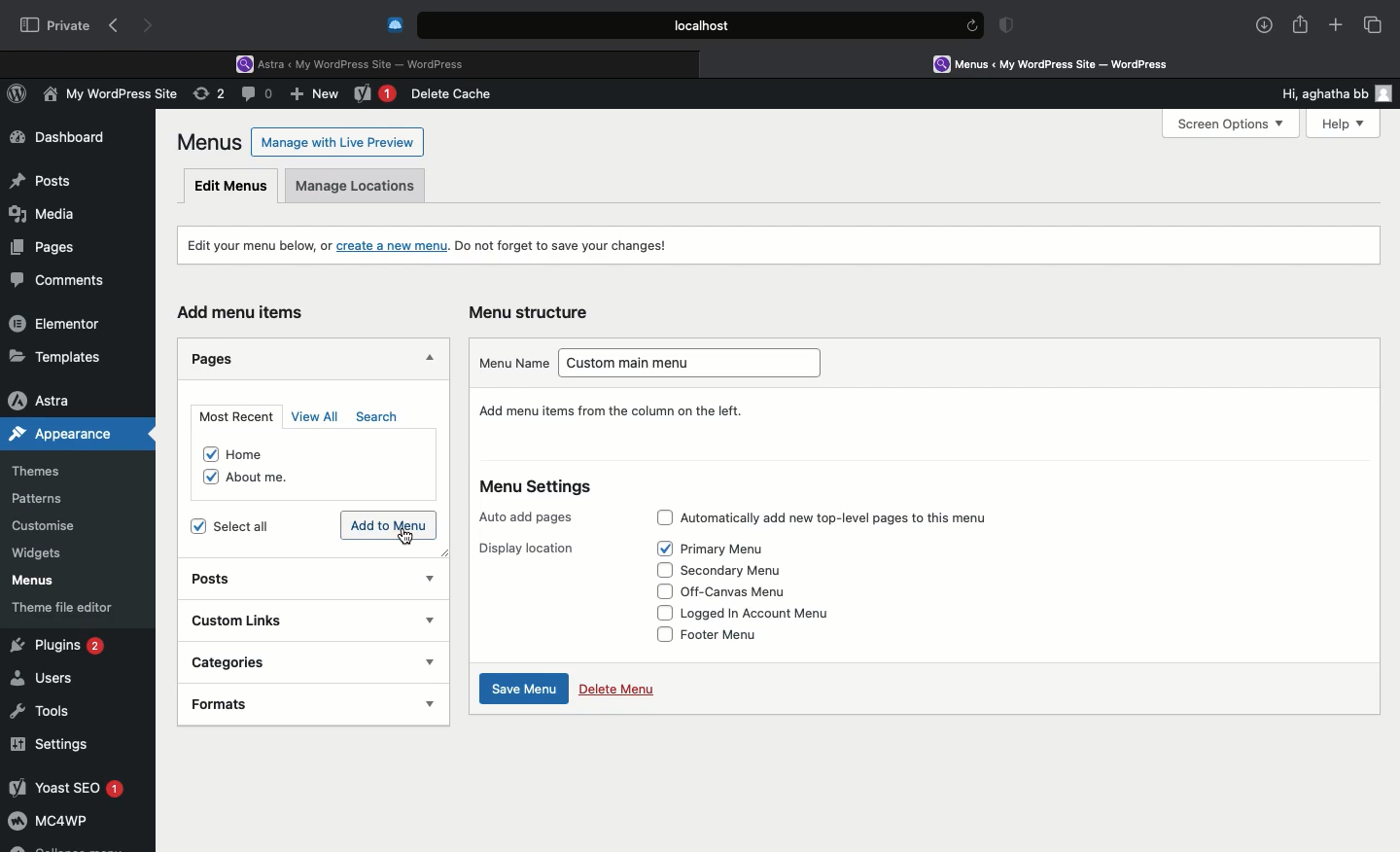 The height and width of the screenshot is (852, 1400). Describe the element at coordinates (30, 581) in the screenshot. I see `Menus` at that location.